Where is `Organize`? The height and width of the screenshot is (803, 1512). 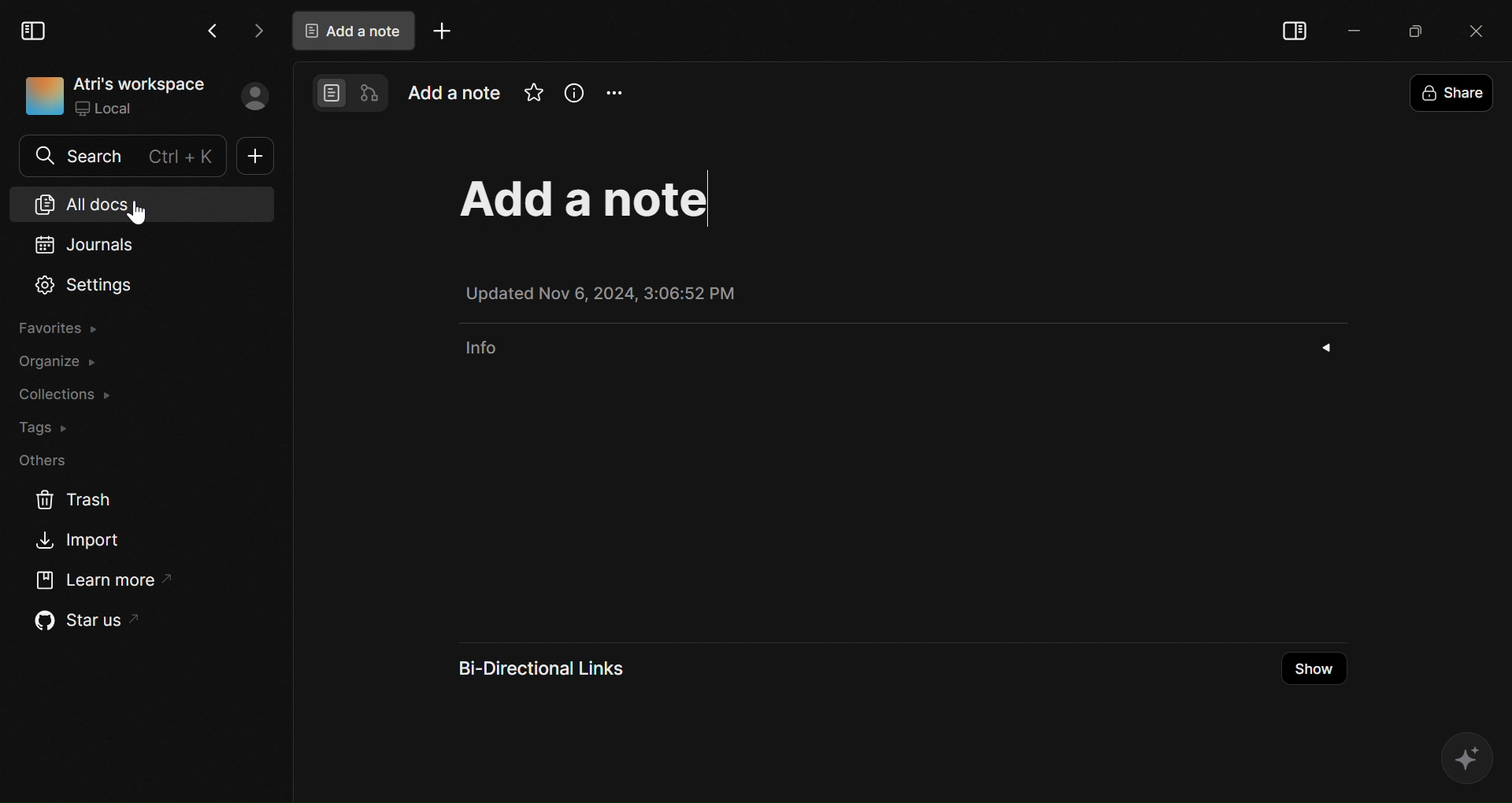 Organize is located at coordinates (65, 362).